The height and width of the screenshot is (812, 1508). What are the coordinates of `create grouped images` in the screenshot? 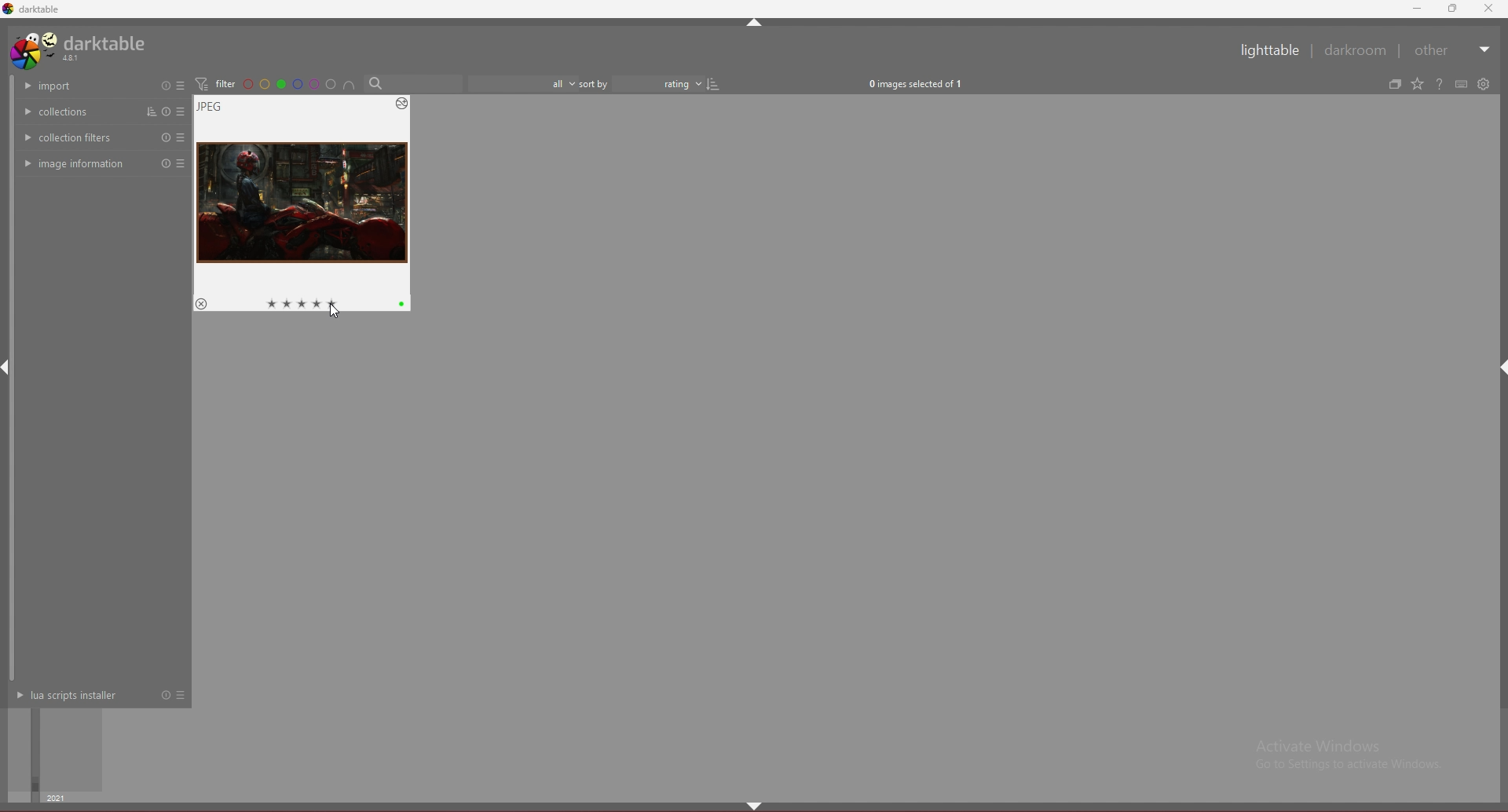 It's located at (1391, 84).